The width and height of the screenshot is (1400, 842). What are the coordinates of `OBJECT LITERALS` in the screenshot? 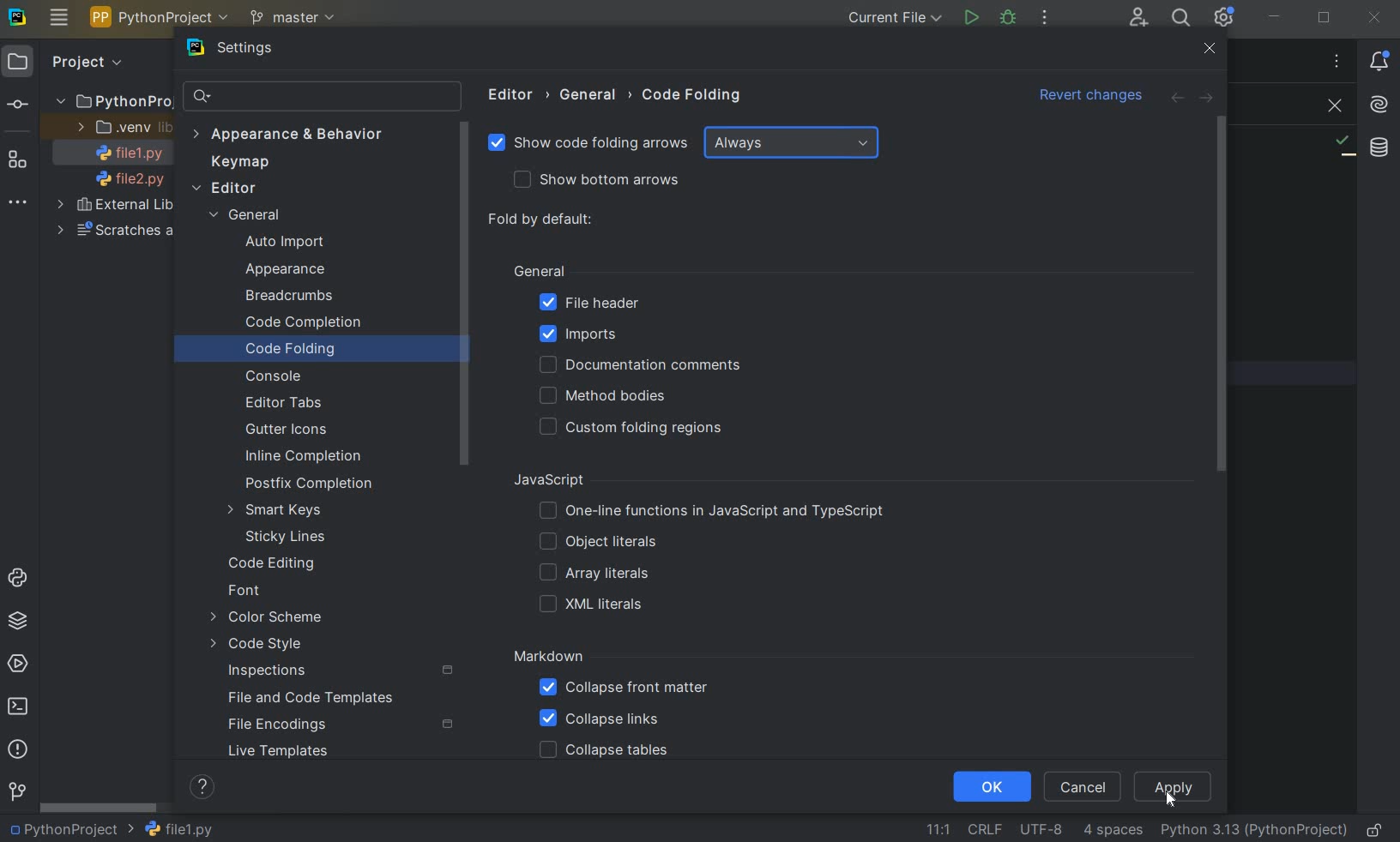 It's located at (594, 543).